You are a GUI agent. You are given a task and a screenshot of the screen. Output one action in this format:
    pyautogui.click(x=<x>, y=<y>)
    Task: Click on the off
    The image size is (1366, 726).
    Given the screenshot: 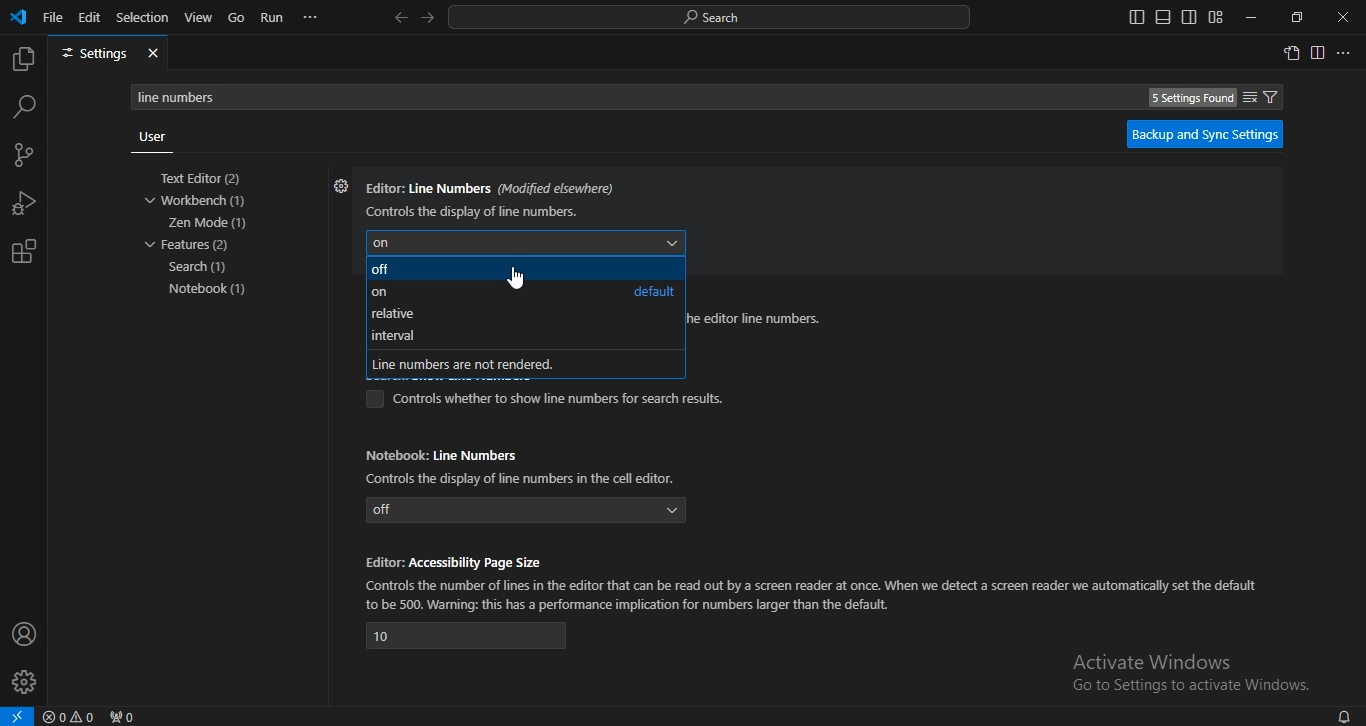 What is the action you would take?
    pyautogui.click(x=527, y=510)
    